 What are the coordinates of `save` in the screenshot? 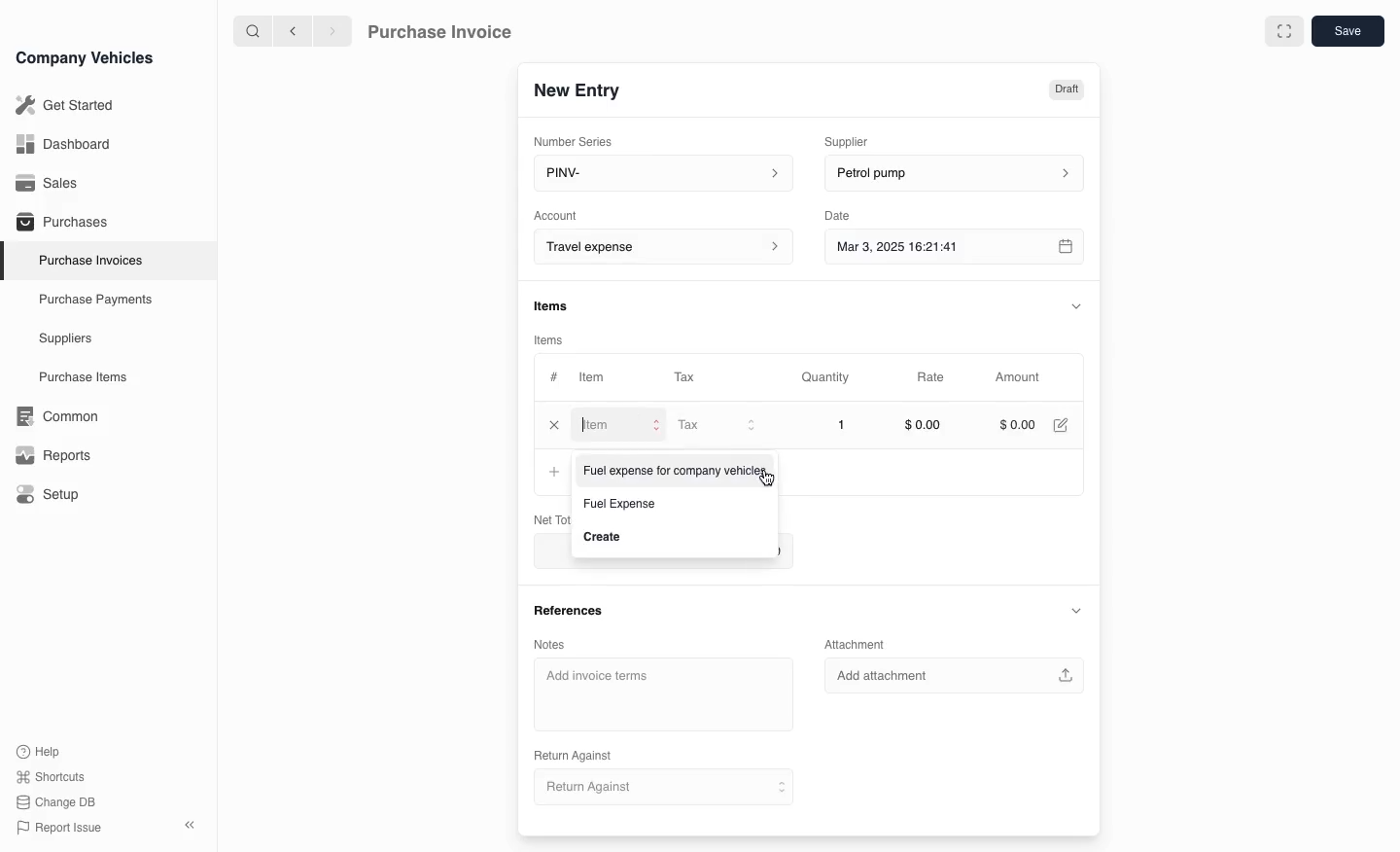 It's located at (1347, 30).